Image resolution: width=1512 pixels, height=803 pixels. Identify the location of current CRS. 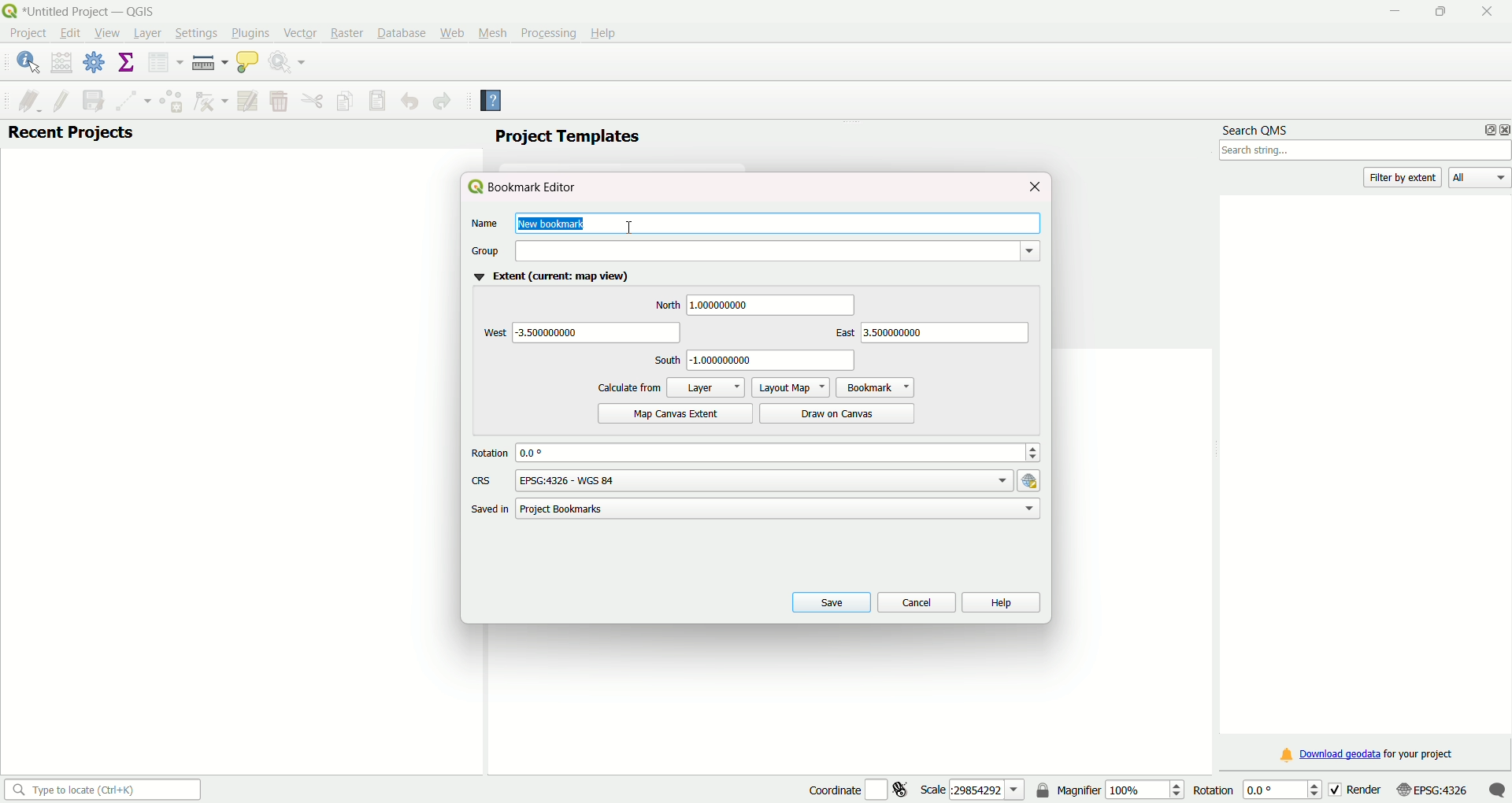
(1431, 788).